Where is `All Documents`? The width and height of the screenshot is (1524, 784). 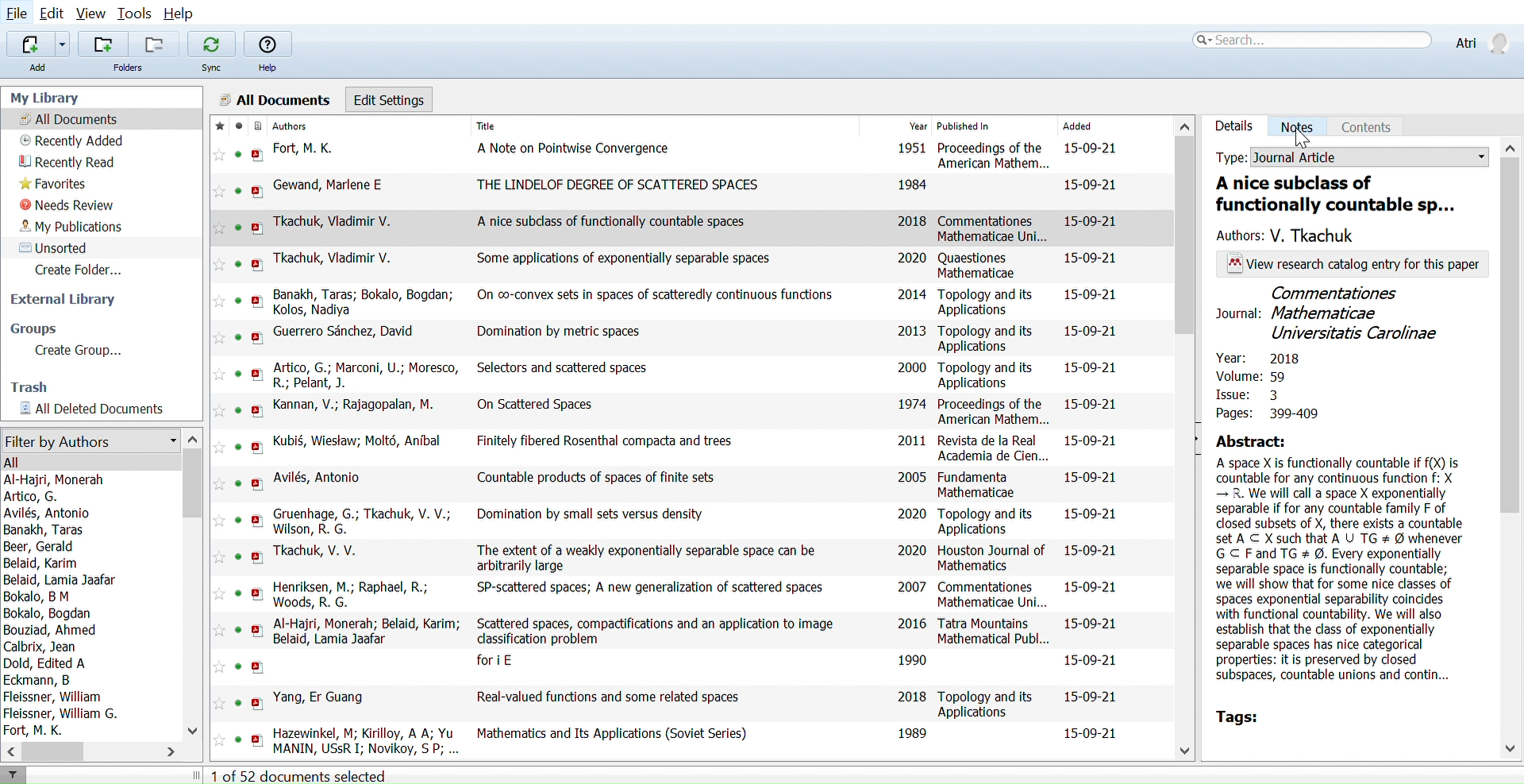 All Documents is located at coordinates (273, 98).